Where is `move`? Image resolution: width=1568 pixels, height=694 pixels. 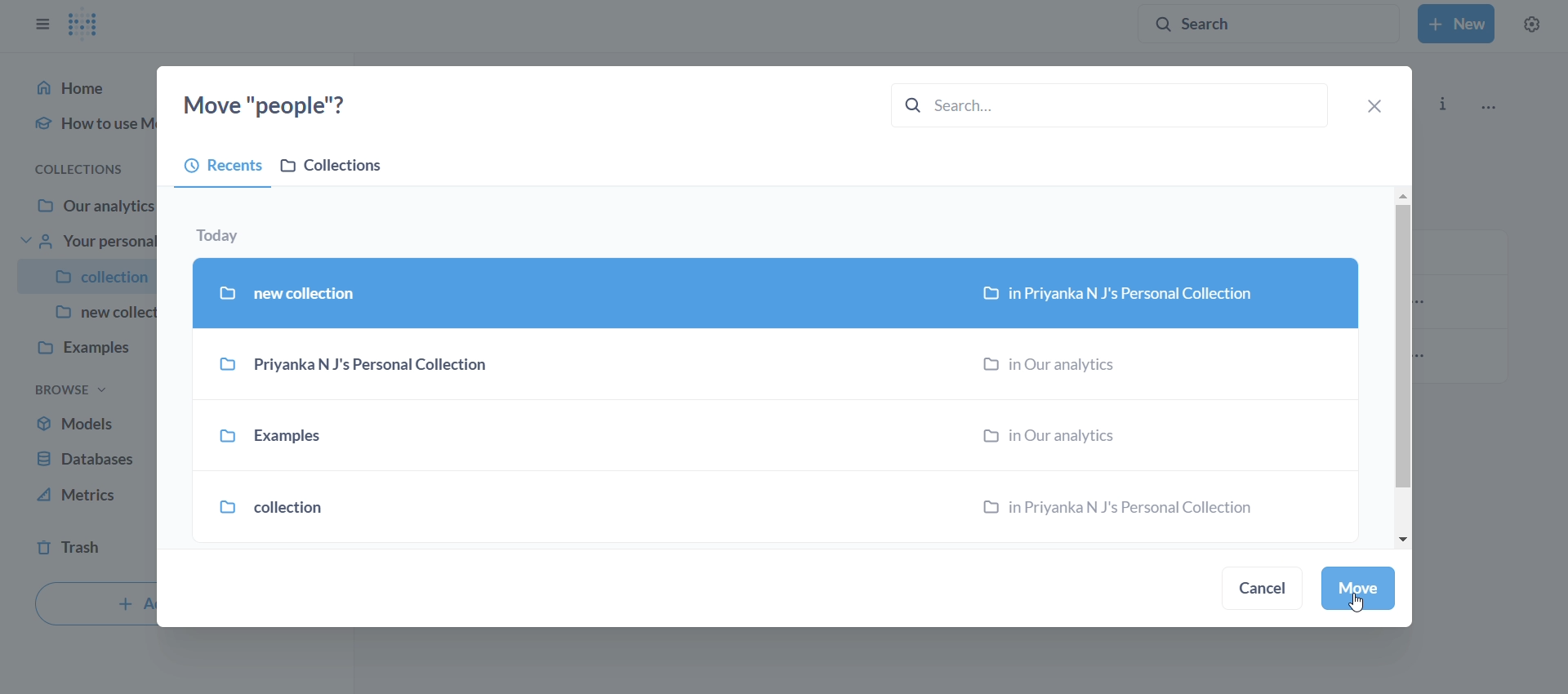
move is located at coordinates (1360, 588).